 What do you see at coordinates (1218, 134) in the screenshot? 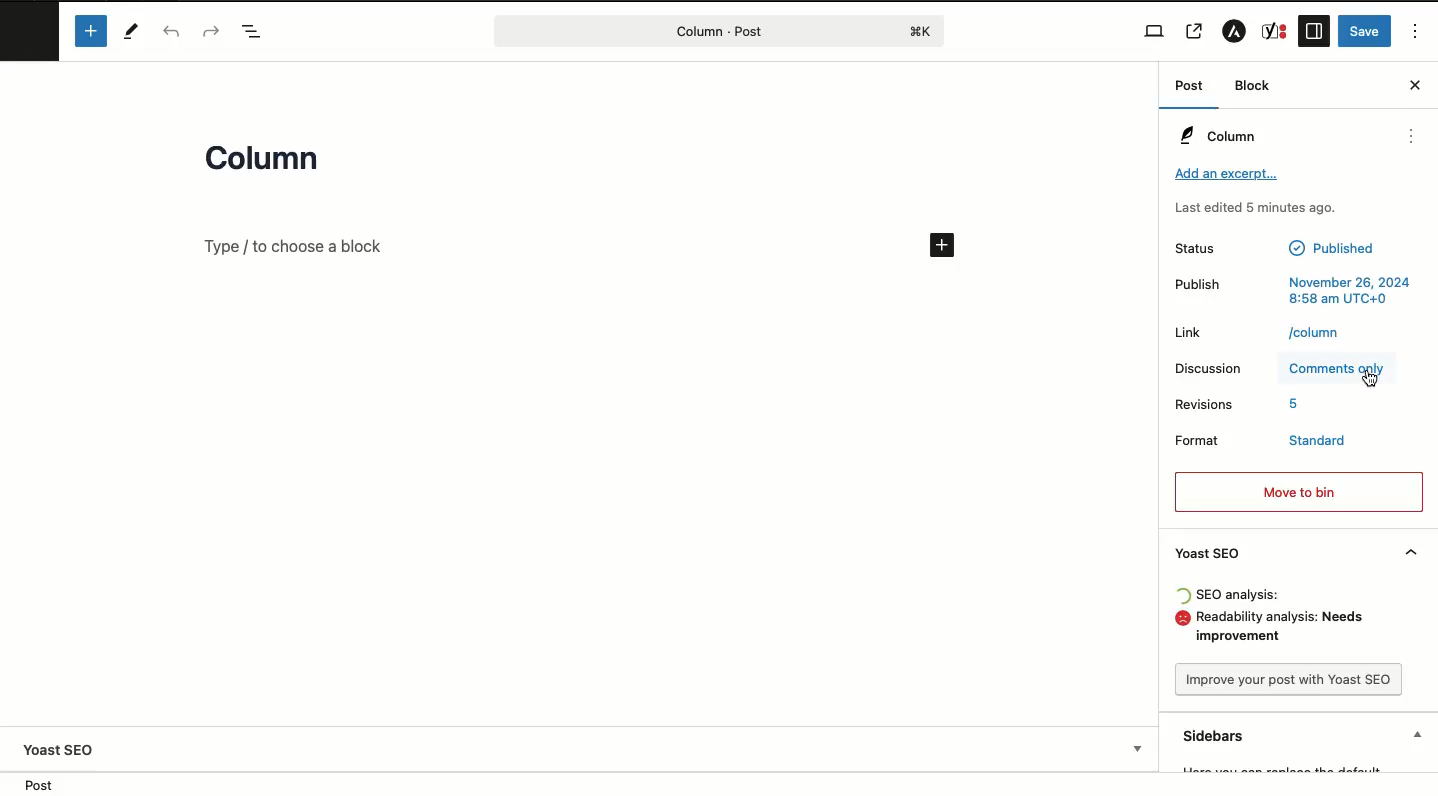
I see `Column` at bounding box center [1218, 134].